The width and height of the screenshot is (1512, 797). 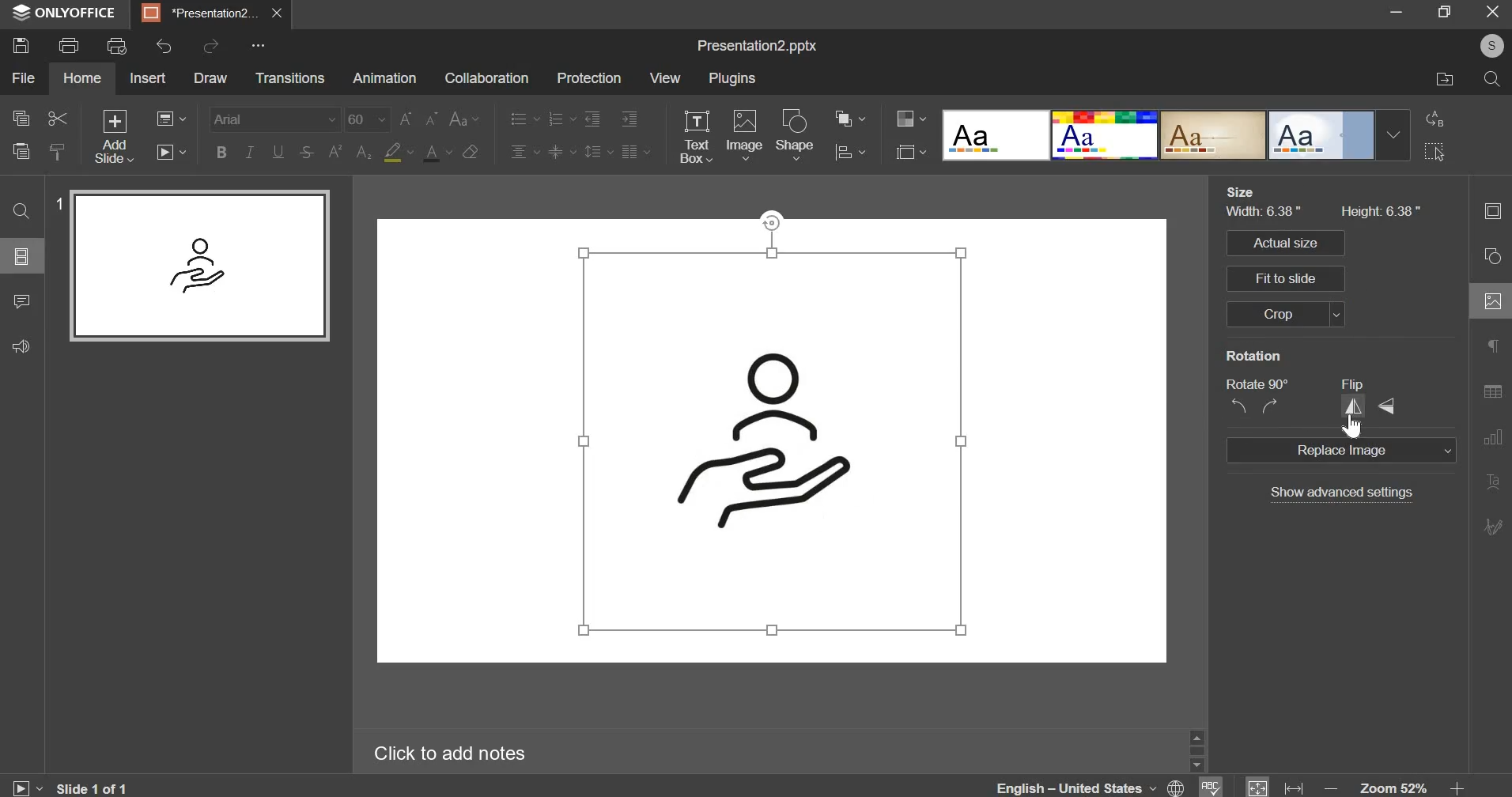 What do you see at coordinates (21, 301) in the screenshot?
I see `comment` at bounding box center [21, 301].